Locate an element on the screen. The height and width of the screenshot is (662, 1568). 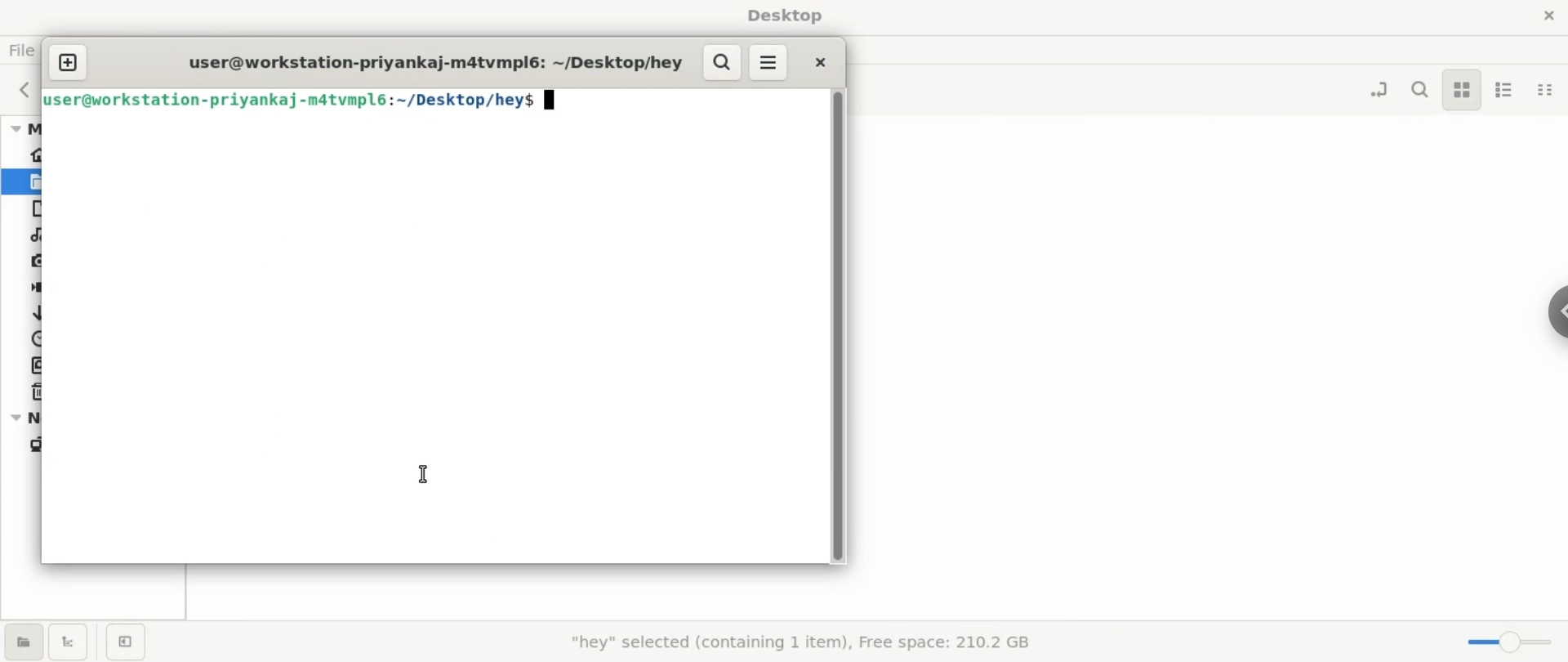
toggle location entry is located at coordinates (1378, 87).